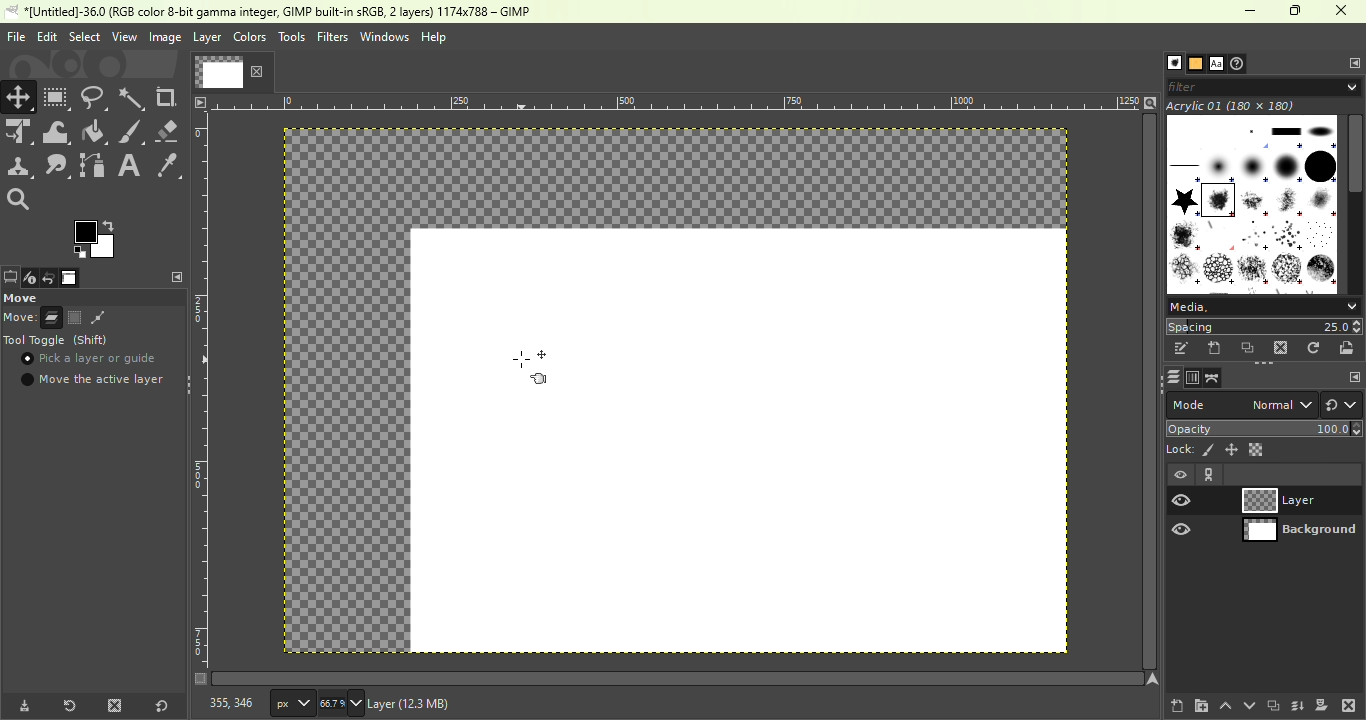 The image size is (1366, 720). What do you see at coordinates (20, 168) in the screenshot?
I see `Clone tool` at bounding box center [20, 168].